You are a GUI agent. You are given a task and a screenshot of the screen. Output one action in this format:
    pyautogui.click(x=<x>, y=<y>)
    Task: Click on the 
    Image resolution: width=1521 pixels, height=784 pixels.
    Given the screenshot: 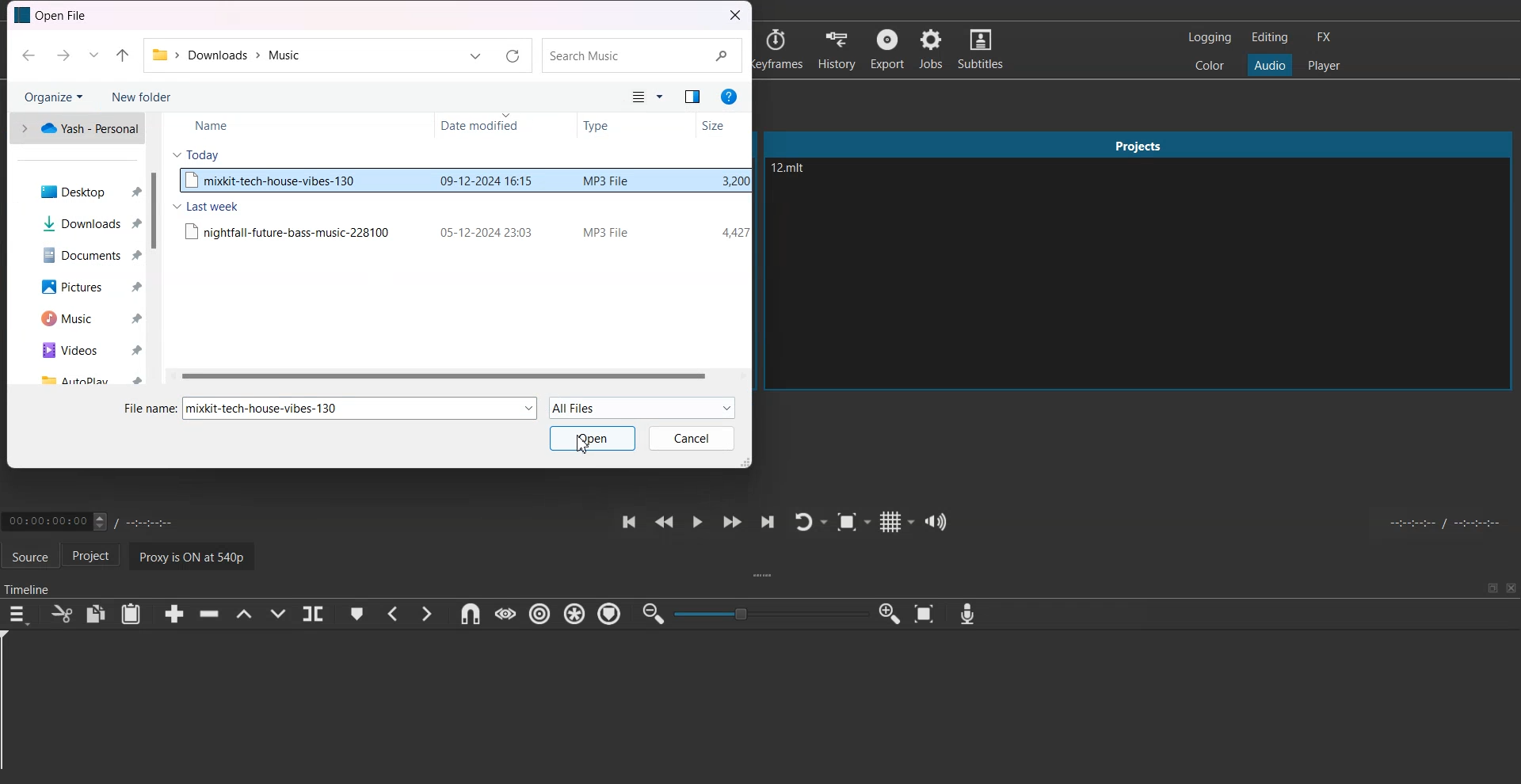 What is the action you would take?
    pyautogui.click(x=663, y=98)
    